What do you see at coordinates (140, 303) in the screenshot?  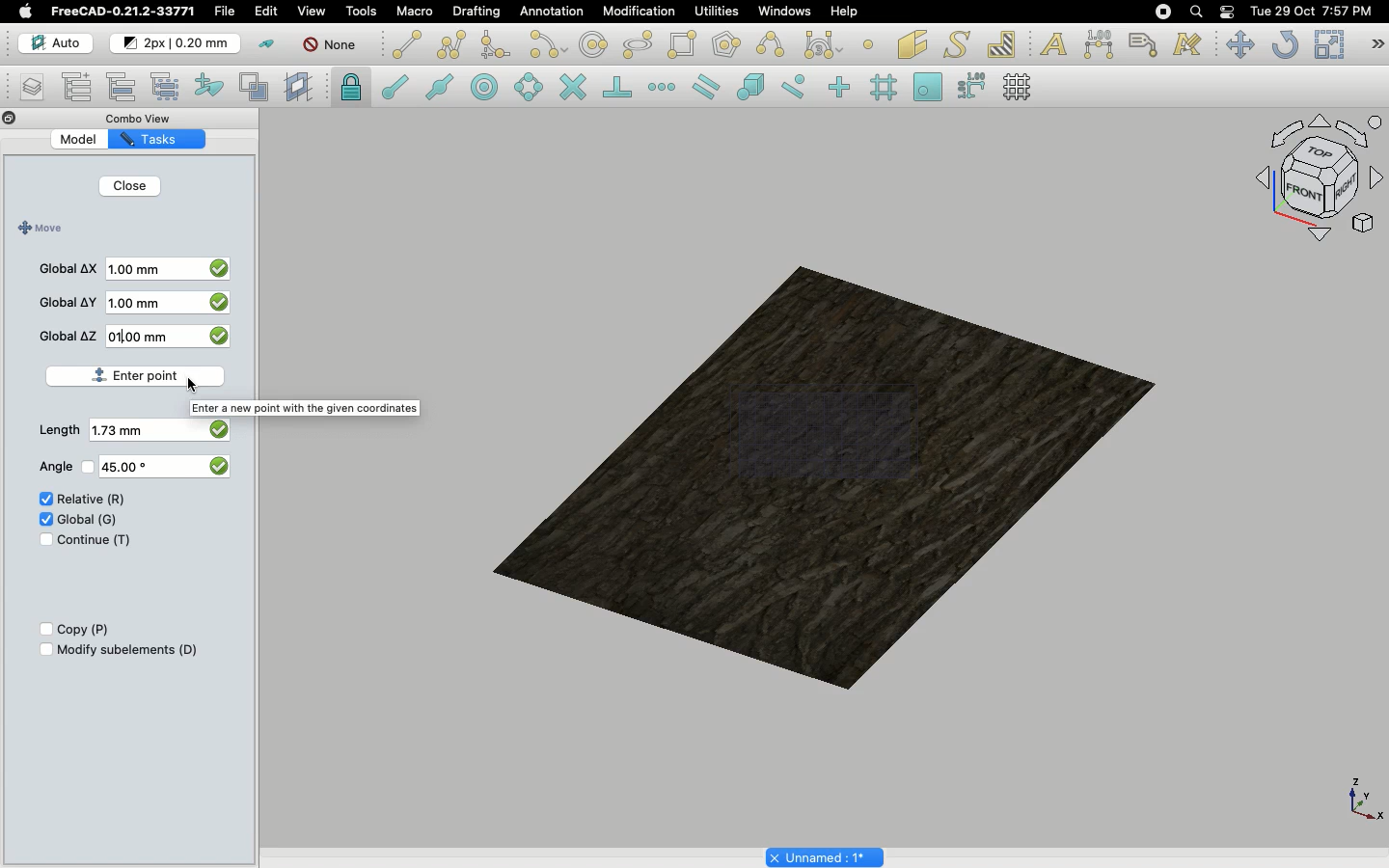 I see `1.00` at bounding box center [140, 303].